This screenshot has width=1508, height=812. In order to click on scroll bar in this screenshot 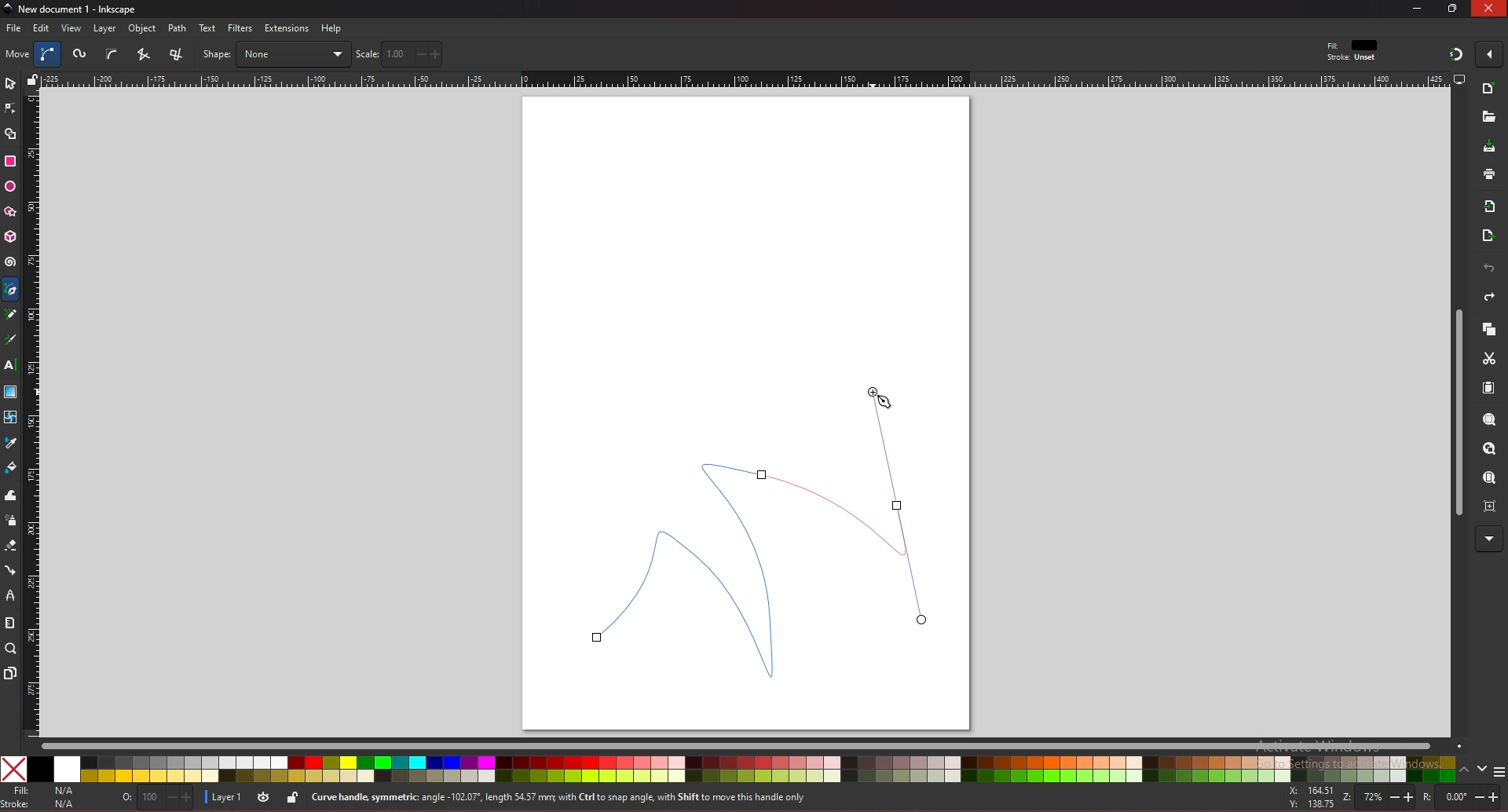, I will do `click(1456, 413)`.